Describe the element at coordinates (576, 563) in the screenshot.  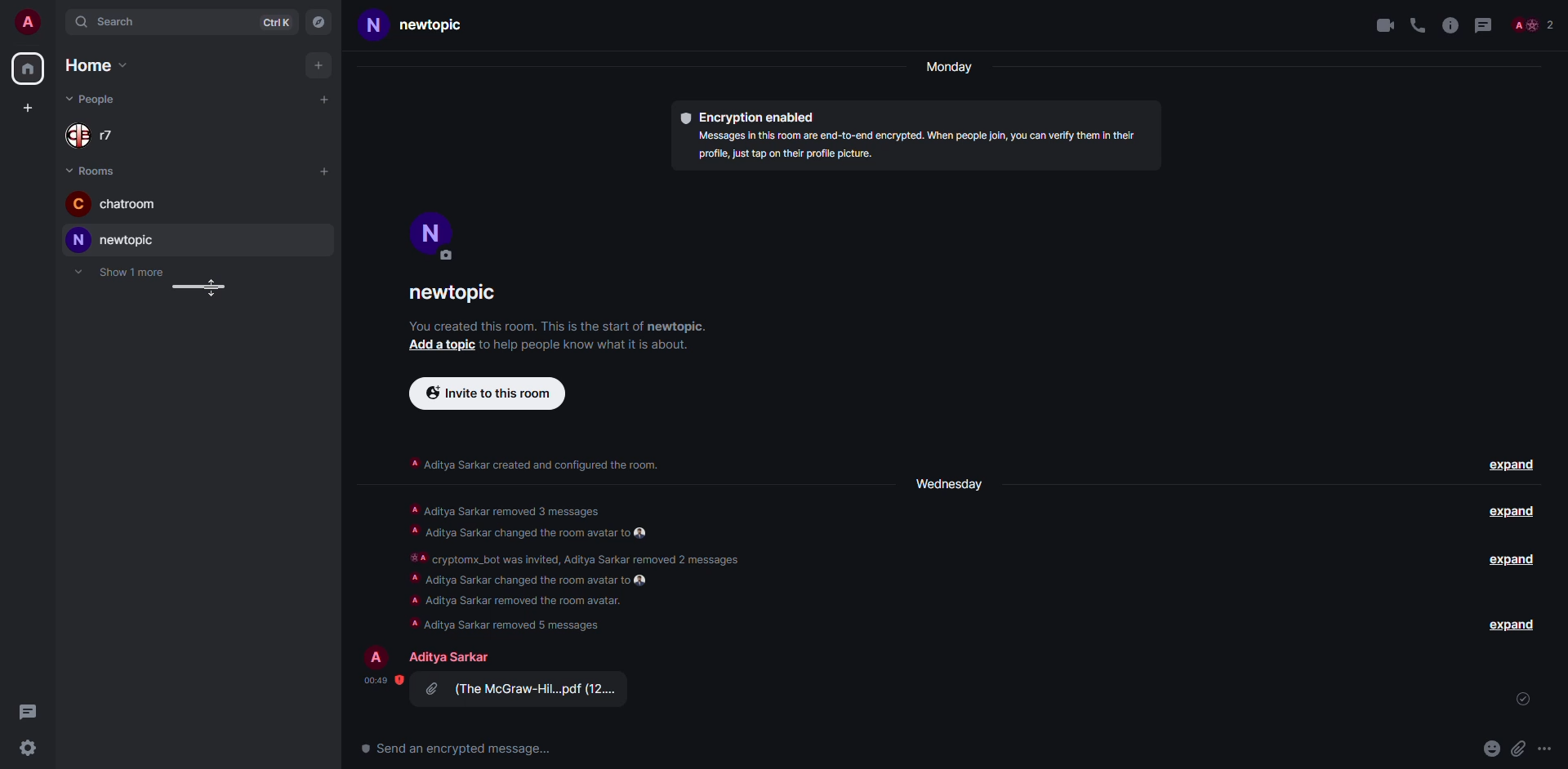
I see `A Aditya Sarkar removed 3 messages

LY TY ——

#A cryptomx_bot was invited, Aditya Sarkar removed 2 messages
A Aditya Sarkar changed the room avatar to

‘a Aditya Sarkar removed the room avatar.

‘A Aditya Sarkar removed 5 messages` at that location.